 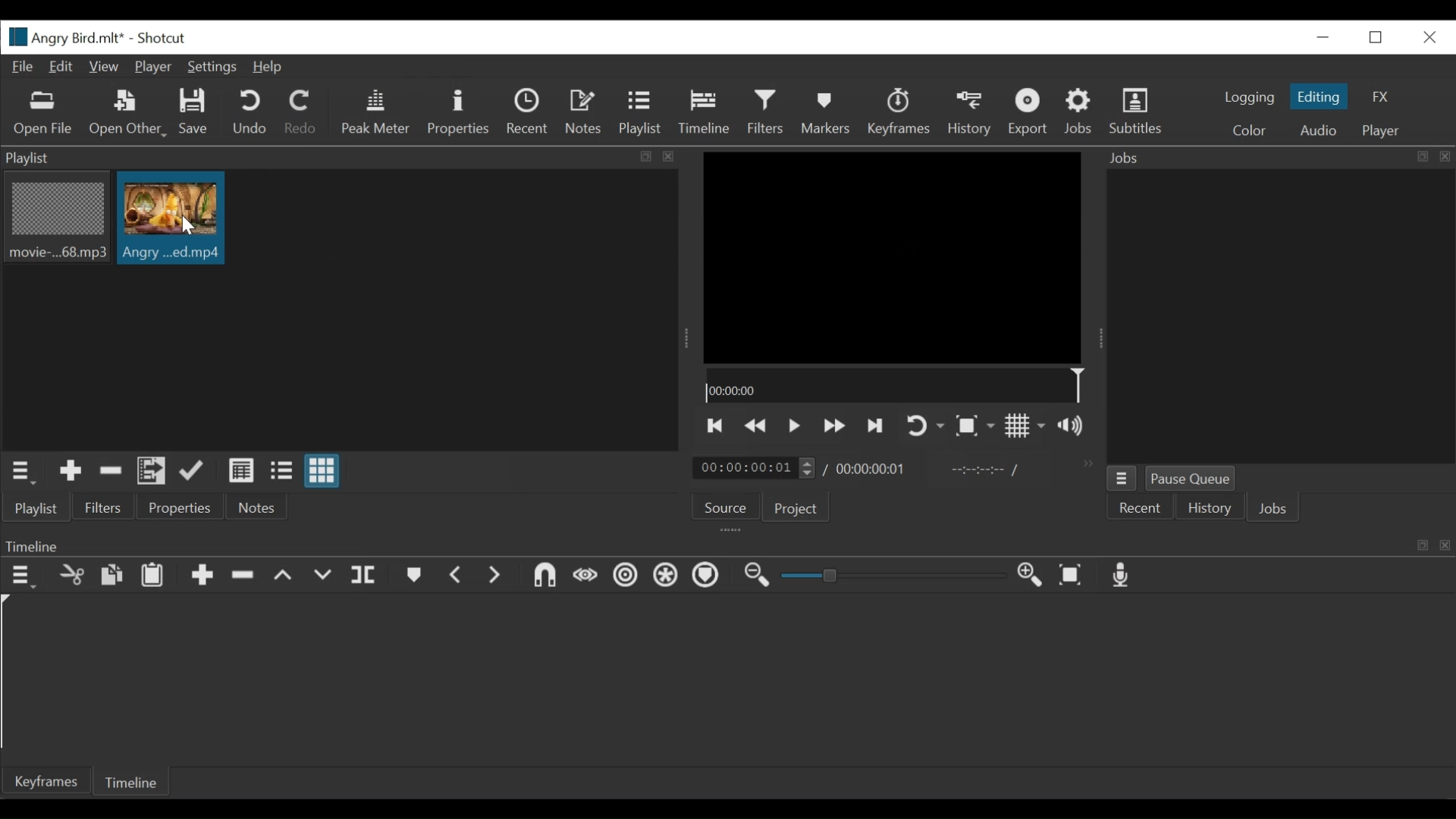 I want to click on Zoom timeline out, so click(x=756, y=576).